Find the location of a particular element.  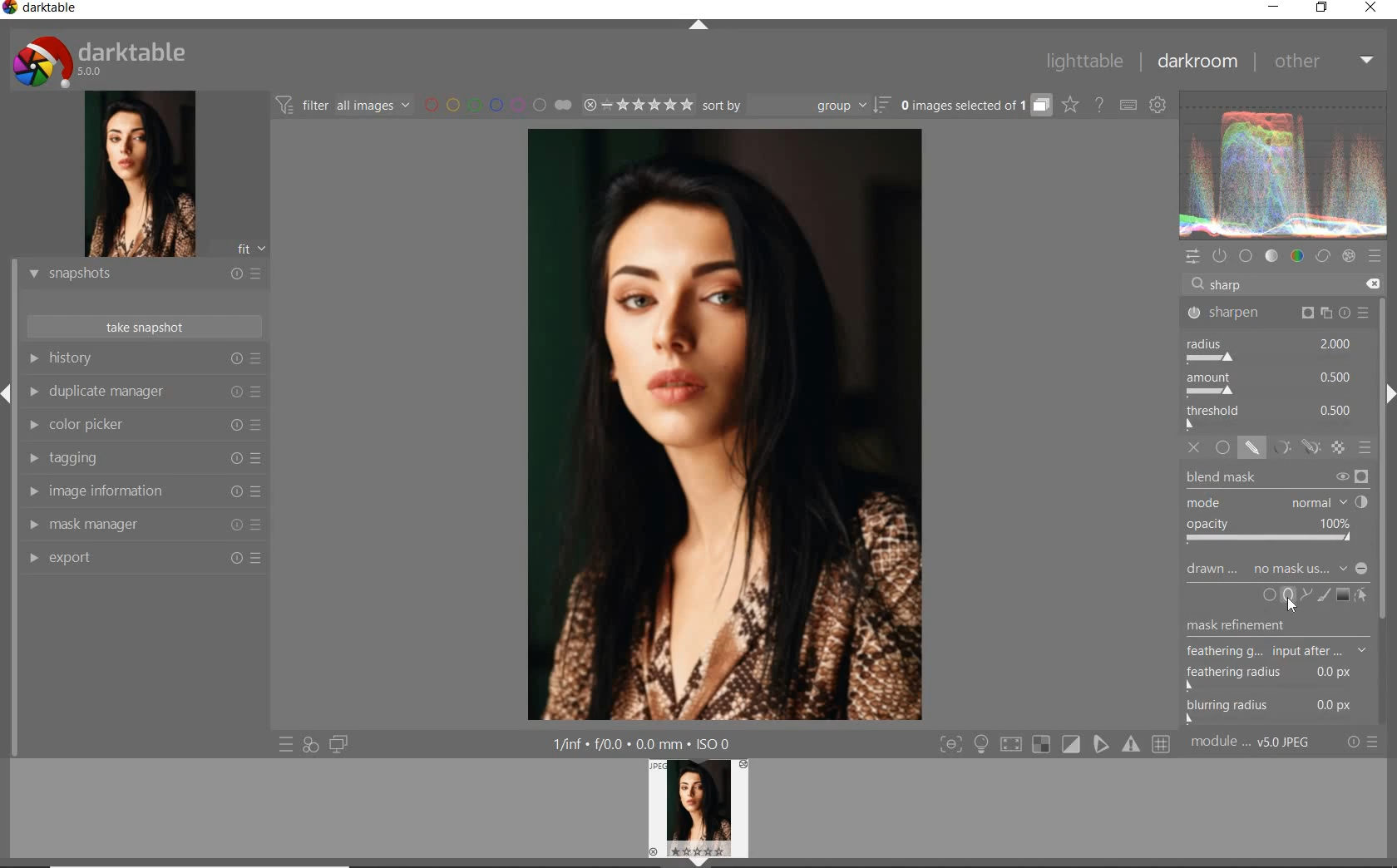

dropdown is located at coordinates (1343, 568).